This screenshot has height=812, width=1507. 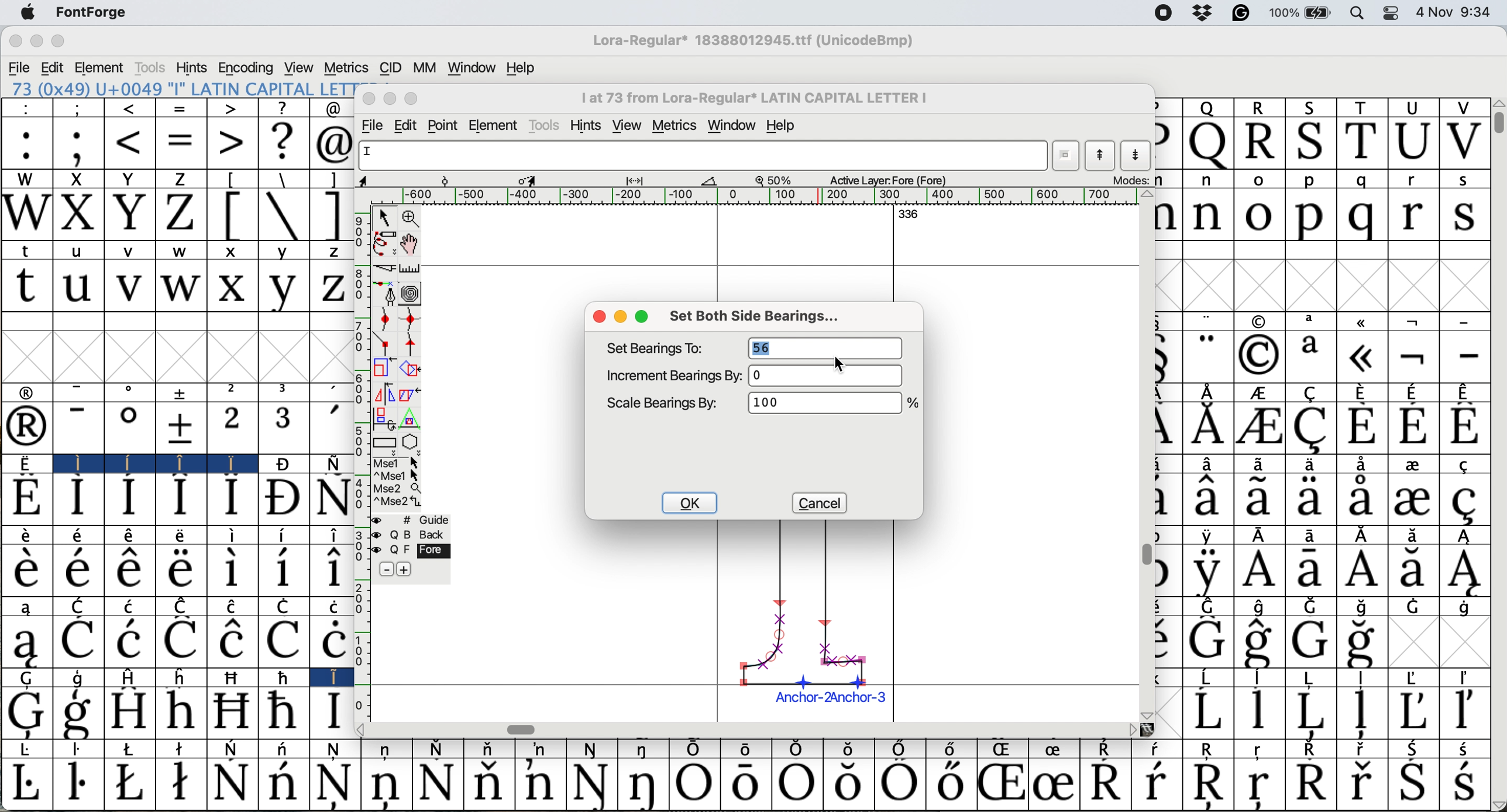 What do you see at coordinates (436, 748) in the screenshot?
I see `Symbol` at bounding box center [436, 748].